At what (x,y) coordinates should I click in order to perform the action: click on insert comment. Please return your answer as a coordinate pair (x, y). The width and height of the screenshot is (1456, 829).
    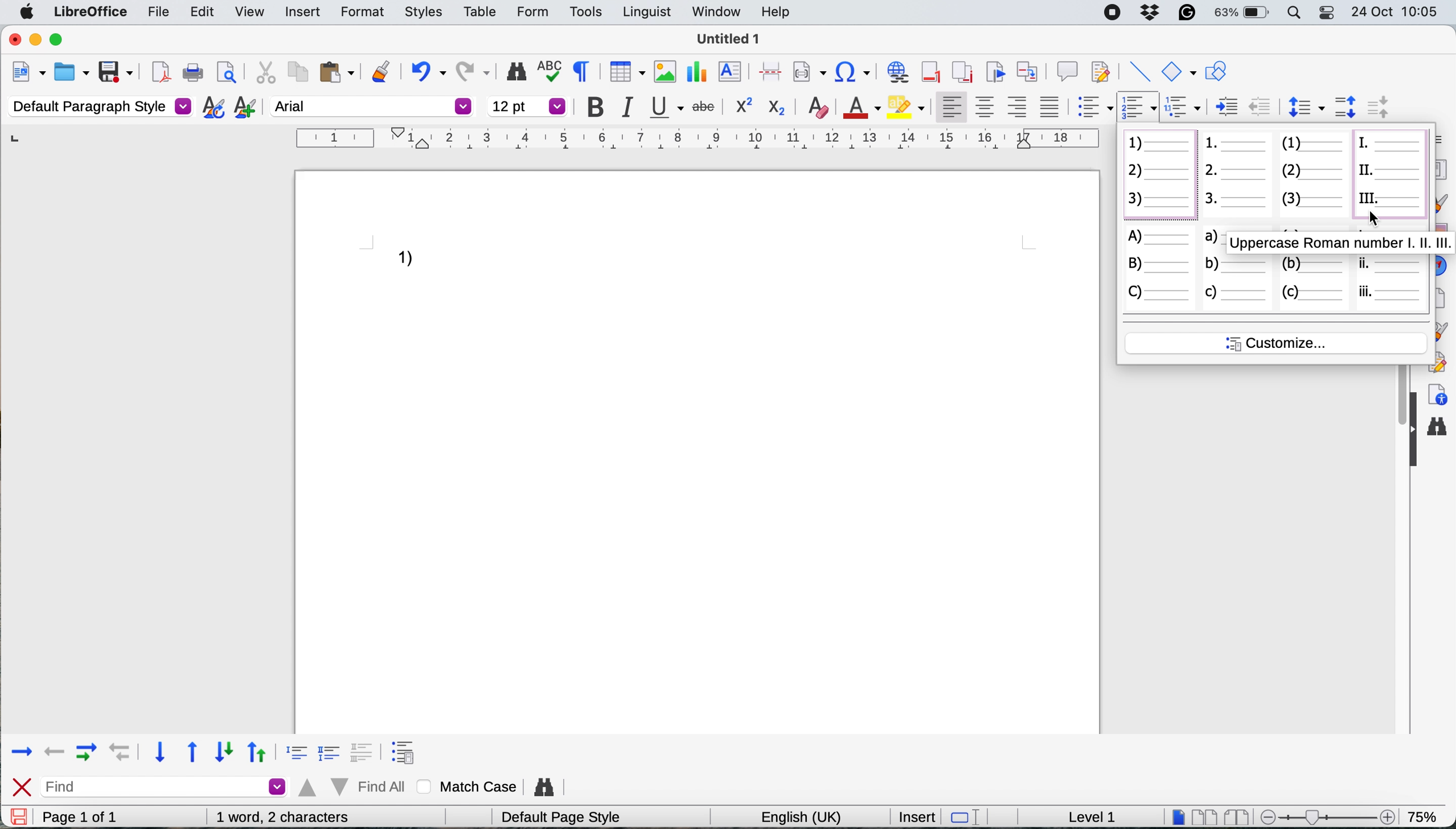
    Looking at the image, I should click on (1067, 69).